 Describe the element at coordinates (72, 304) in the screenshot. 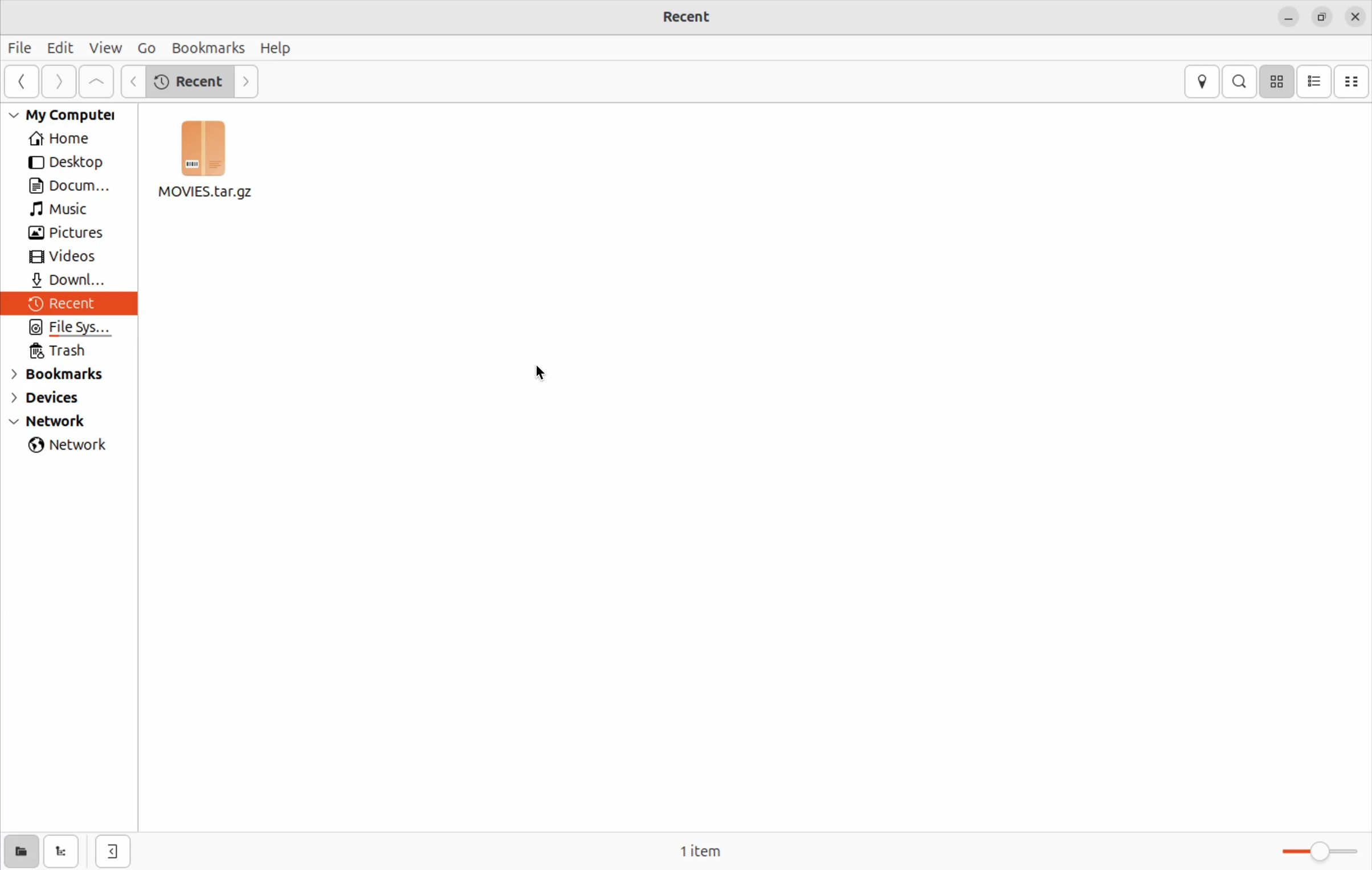

I see `recent` at that location.